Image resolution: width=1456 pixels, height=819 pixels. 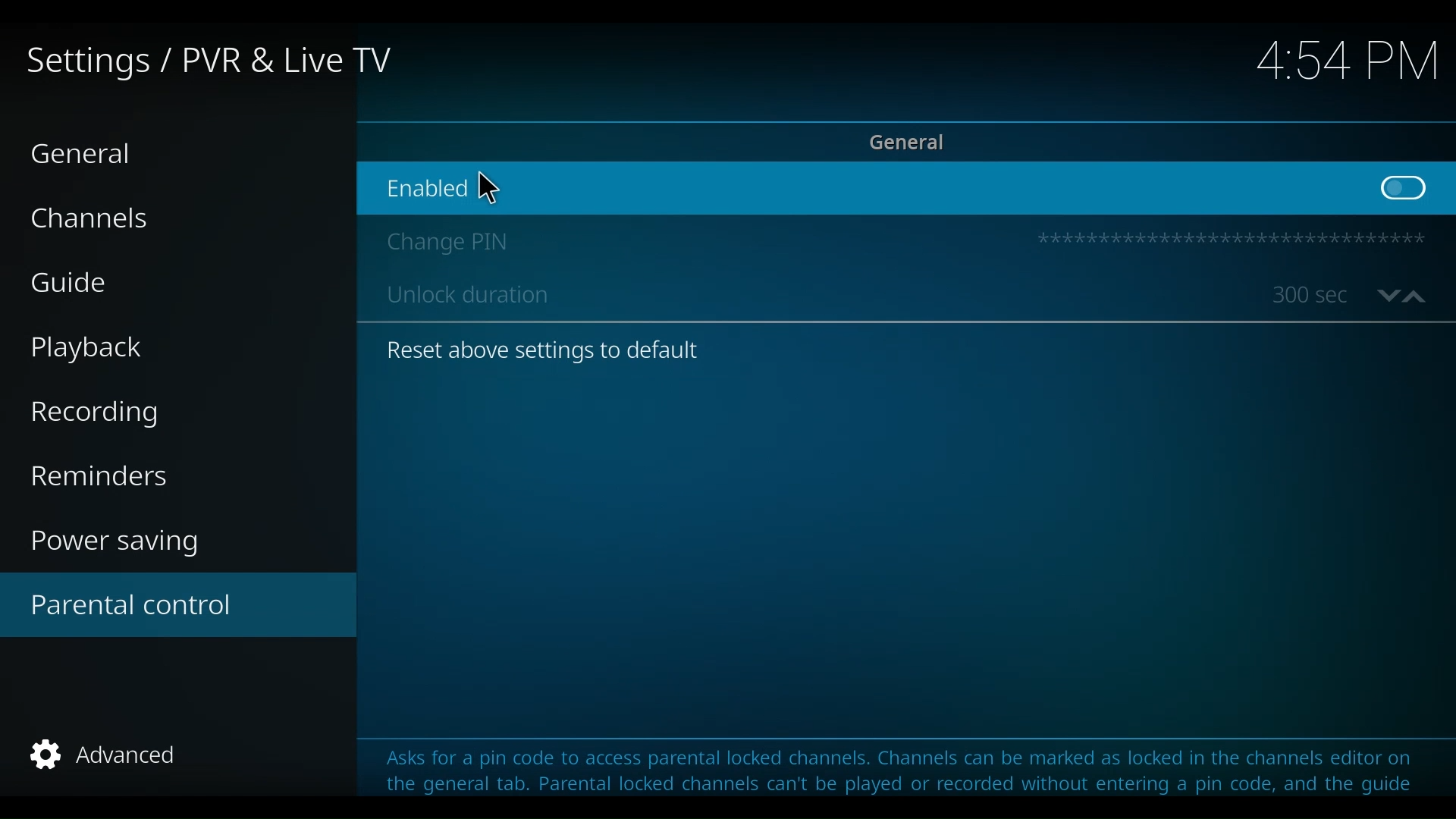 I want to click on Advanced, so click(x=105, y=755).